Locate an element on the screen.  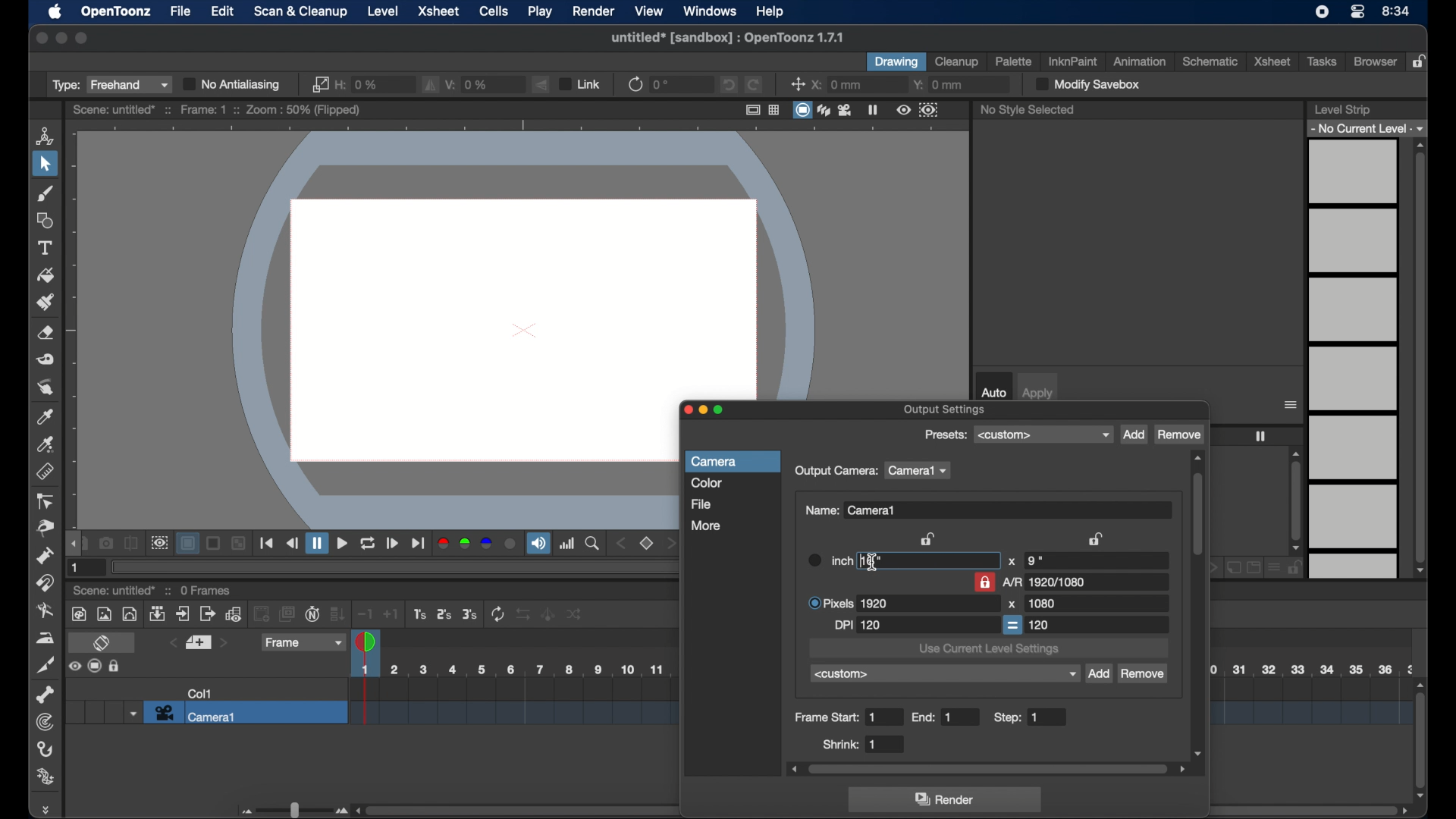
close is located at coordinates (40, 38).